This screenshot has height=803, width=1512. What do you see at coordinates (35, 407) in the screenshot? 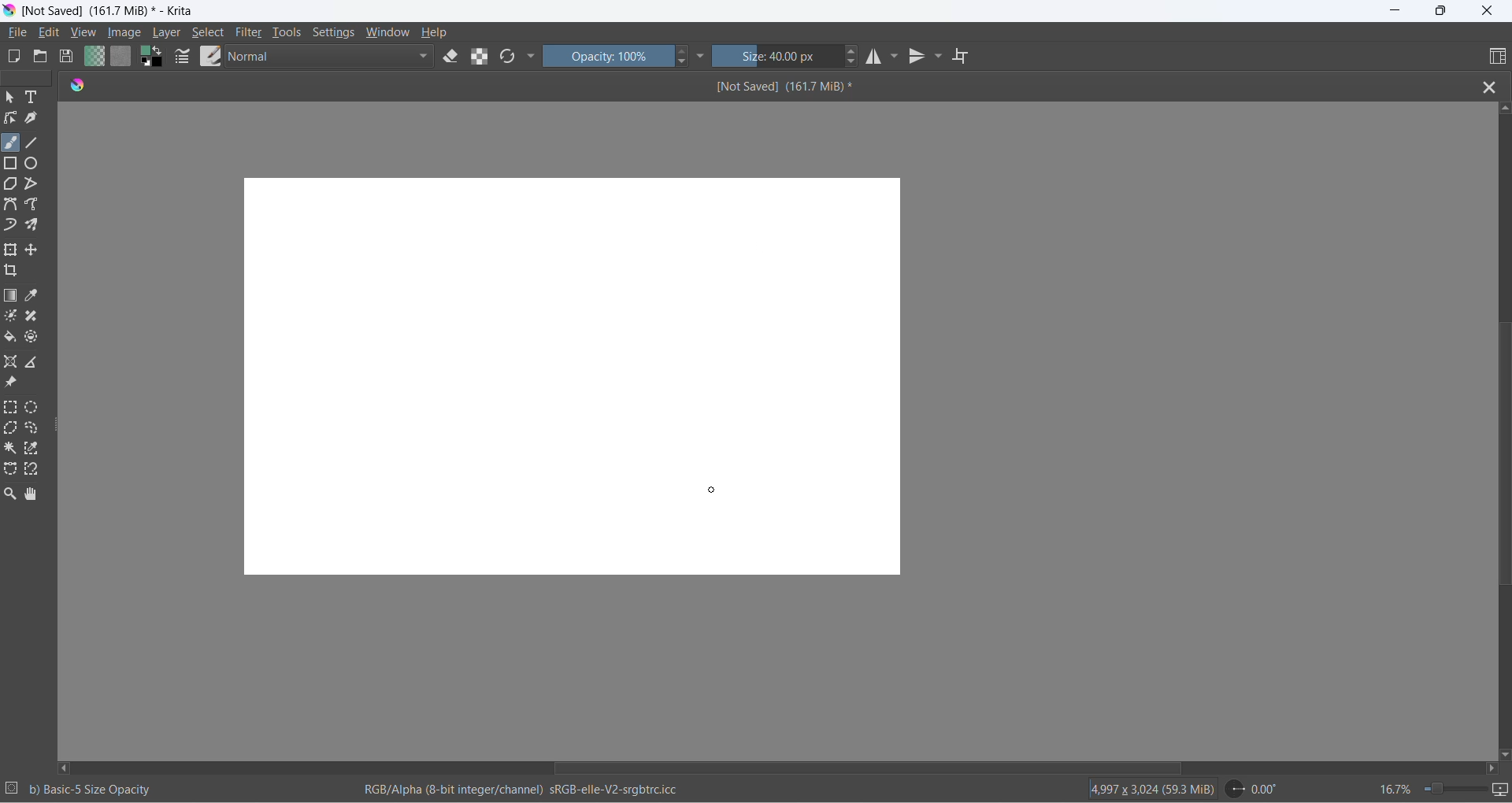
I see `elliptical selection tool` at bounding box center [35, 407].